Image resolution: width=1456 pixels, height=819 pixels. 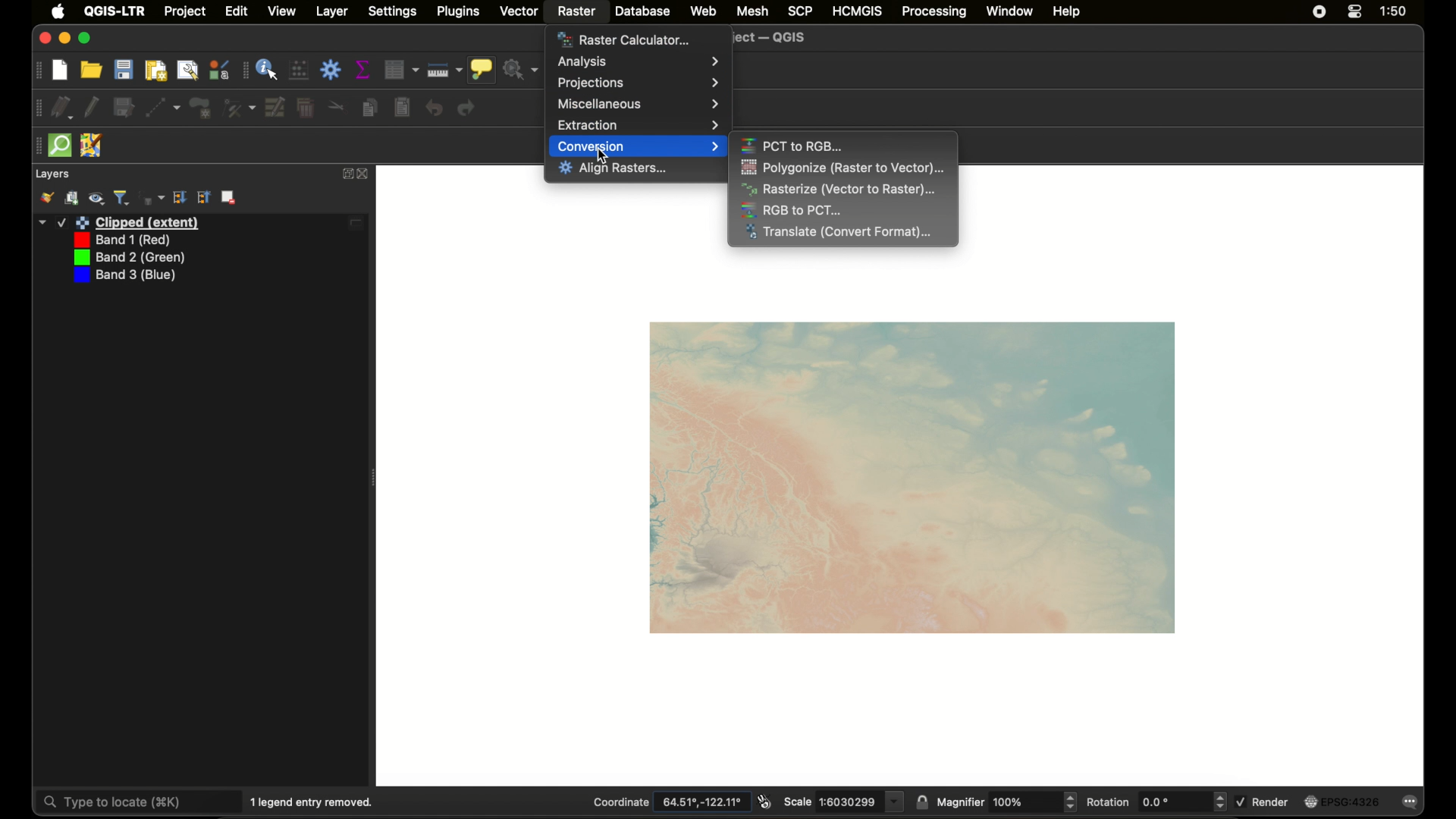 What do you see at coordinates (935, 12) in the screenshot?
I see `processing` at bounding box center [935, 12].